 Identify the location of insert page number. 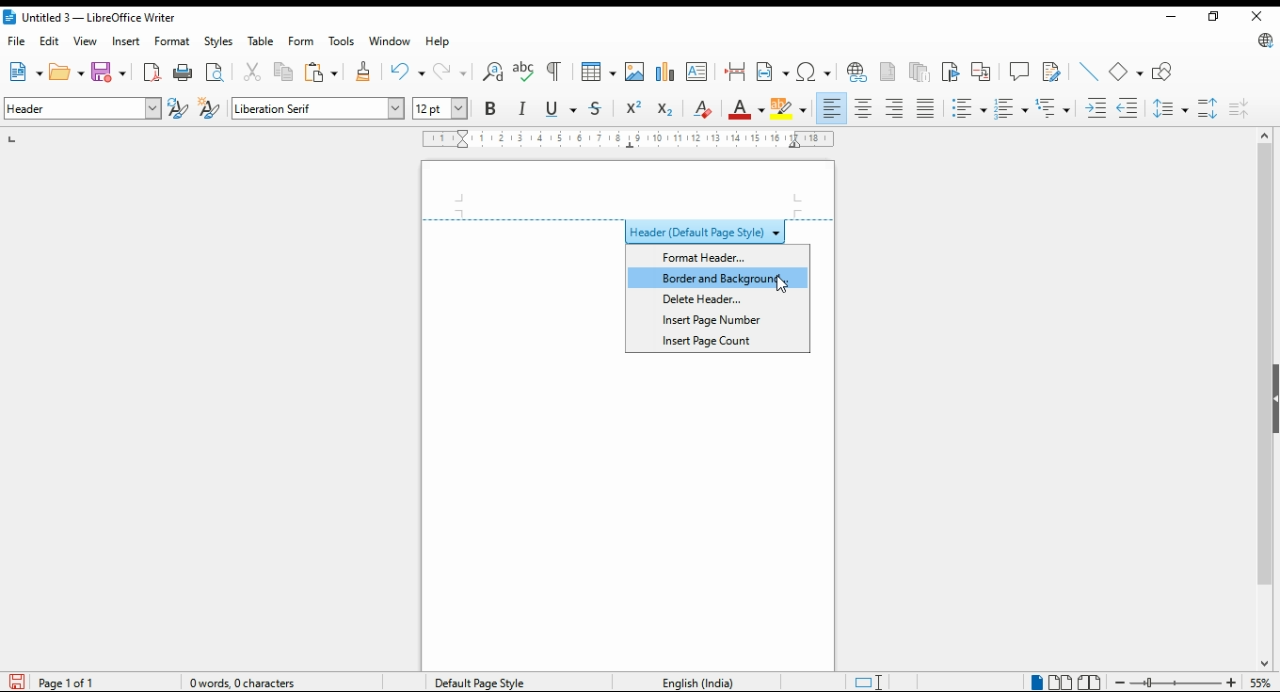
(719, 320).